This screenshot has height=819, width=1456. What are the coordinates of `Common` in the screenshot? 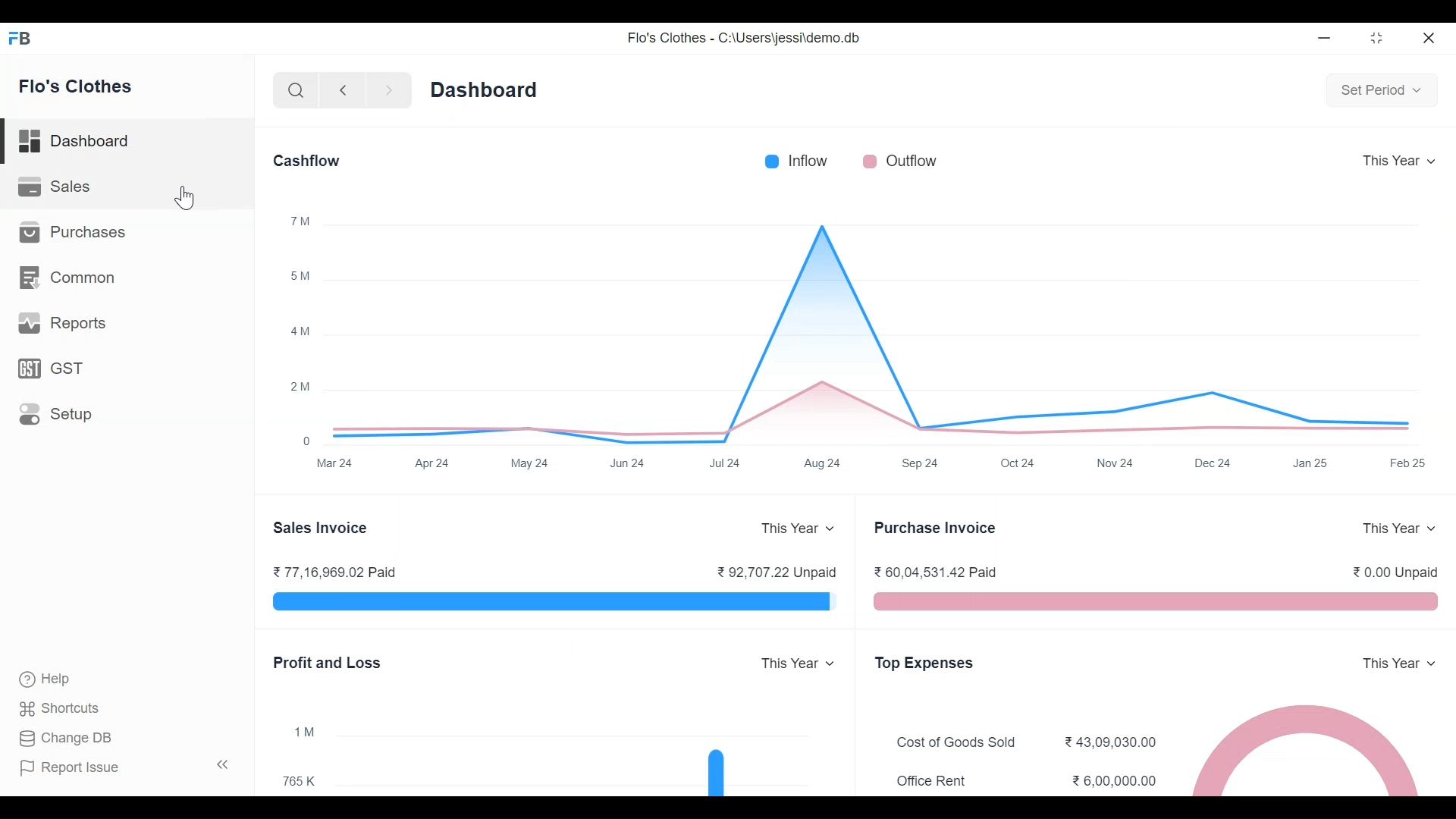 It's located at (68, 278).